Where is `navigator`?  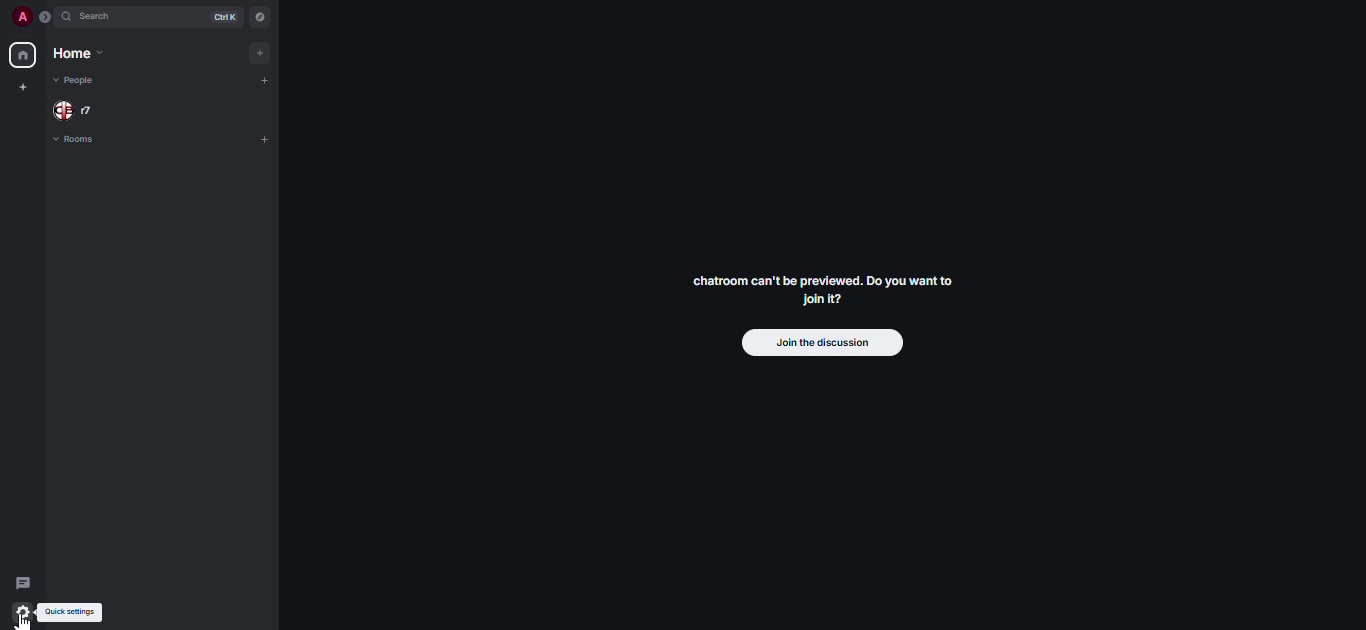 navigator is located at coordinates (259, 14).